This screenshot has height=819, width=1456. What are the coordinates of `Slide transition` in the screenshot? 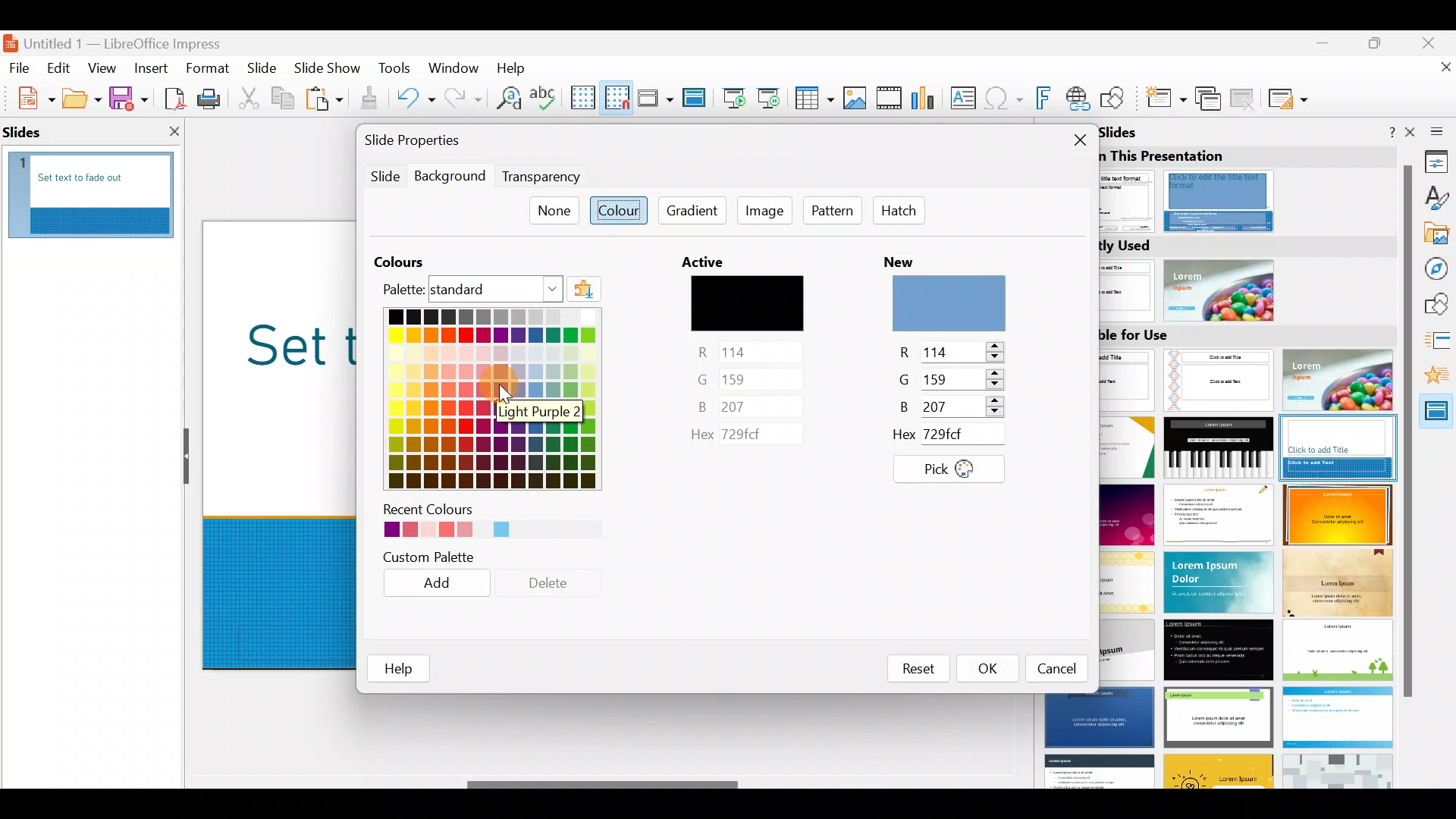 It's located at (1438, 343).